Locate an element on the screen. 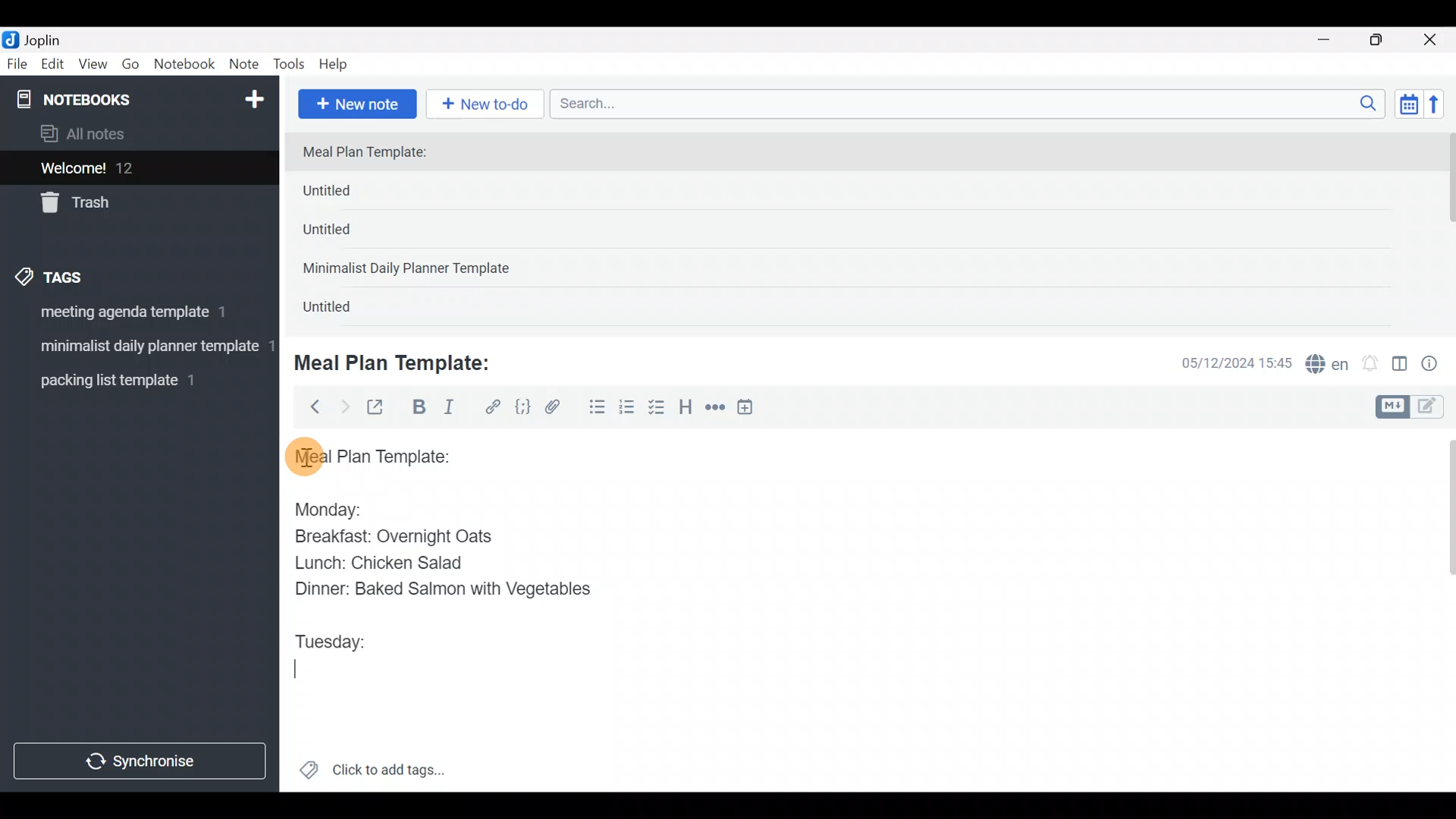  Close is located at coordinates (1432, 41).